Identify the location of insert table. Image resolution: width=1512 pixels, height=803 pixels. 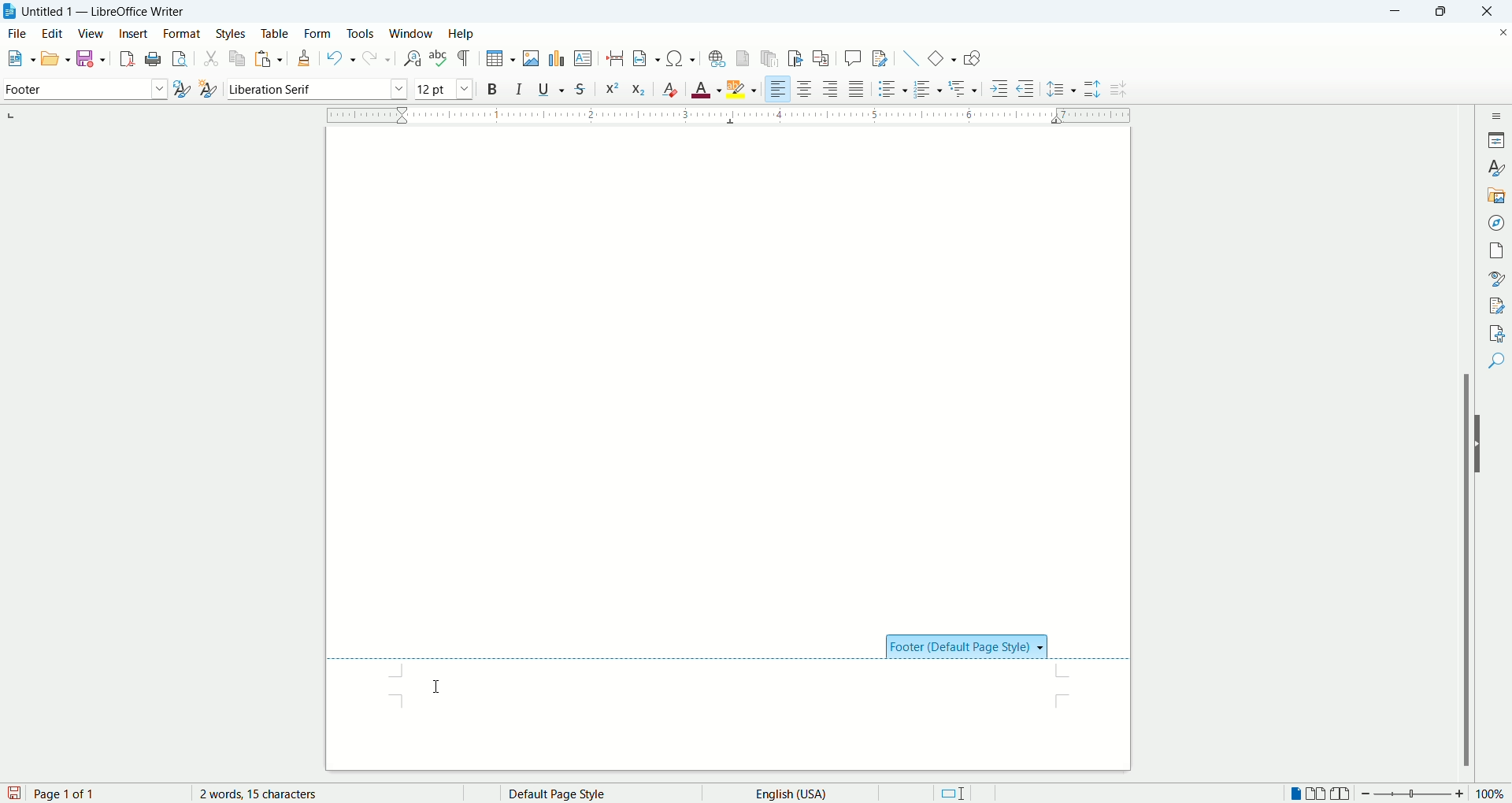
(501, 59).